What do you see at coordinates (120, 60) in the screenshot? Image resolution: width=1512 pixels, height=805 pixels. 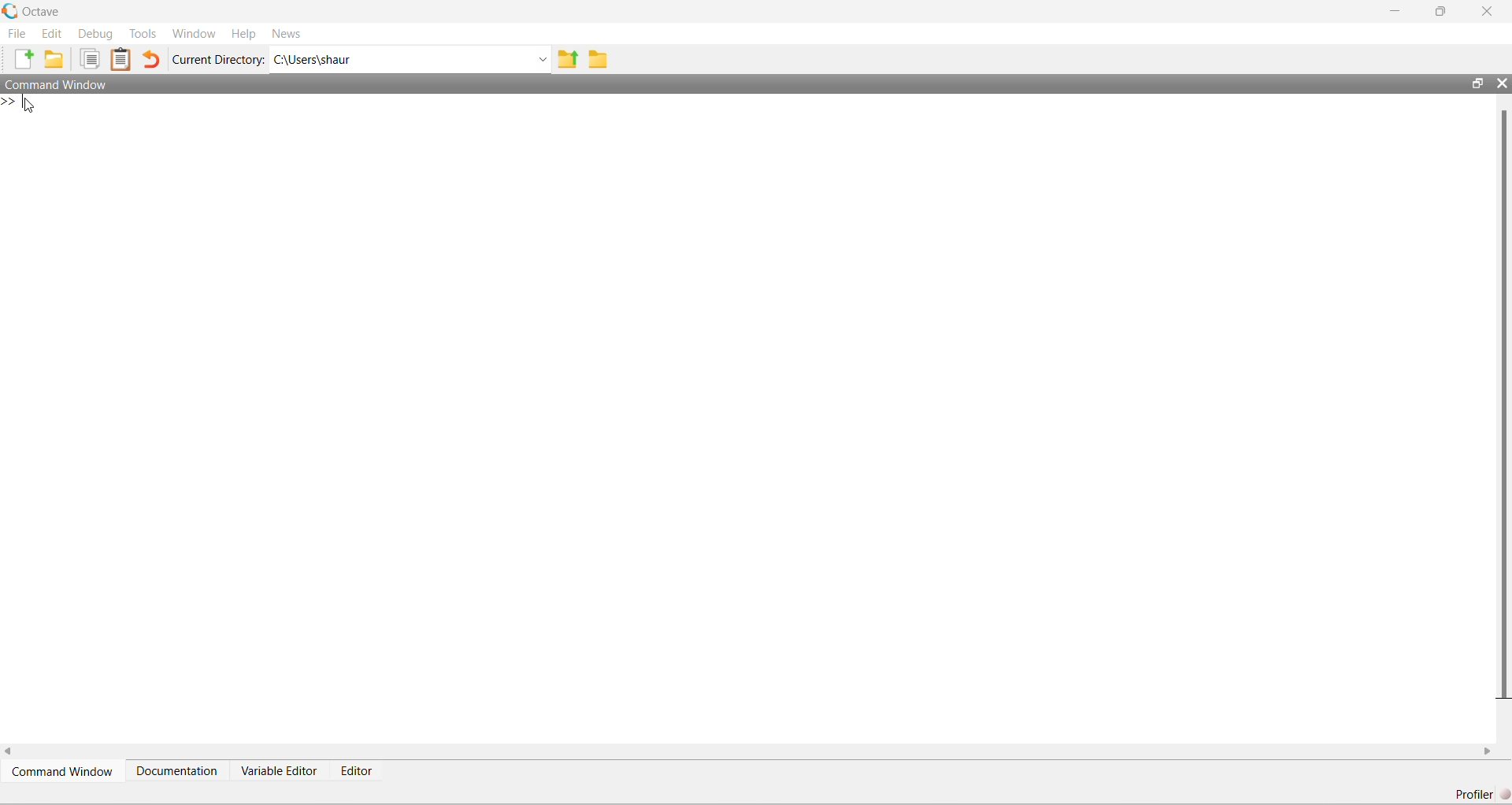 I see `Paste` at bounding box center [120, 60].